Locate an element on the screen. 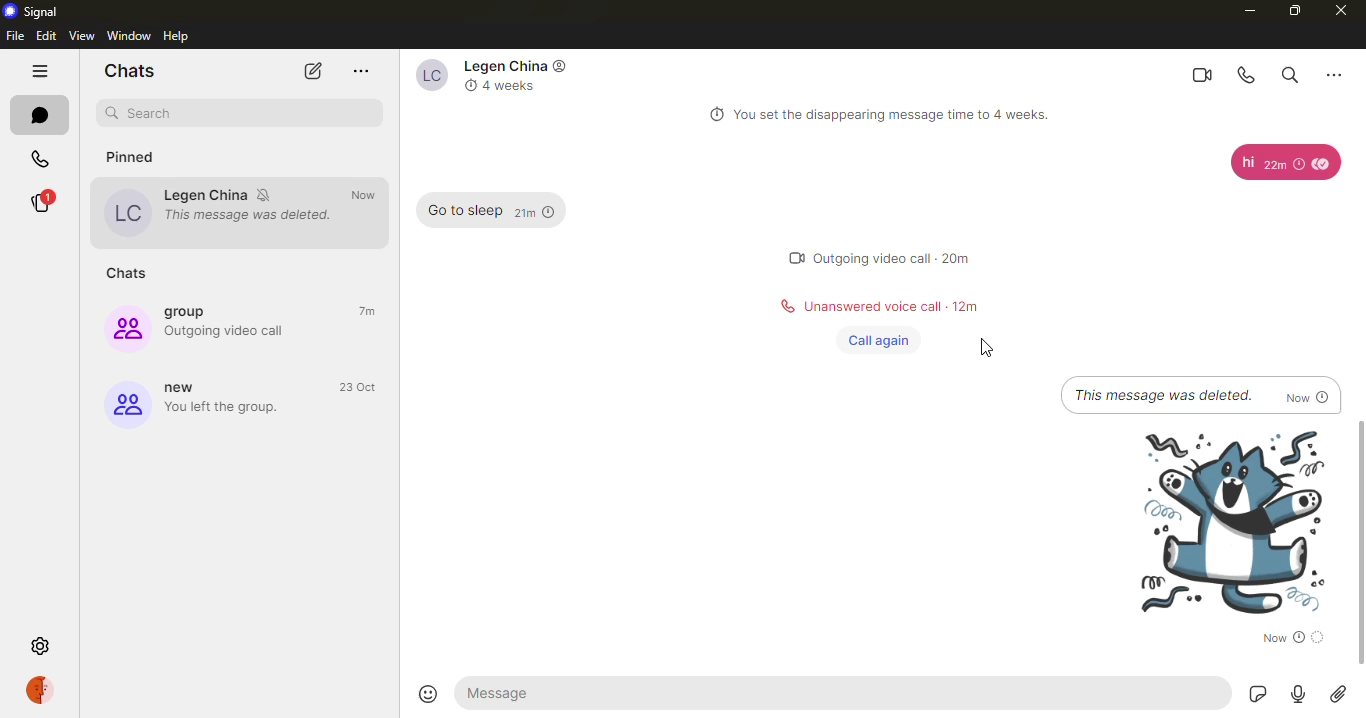  record is located at coordinates (1296, 695).